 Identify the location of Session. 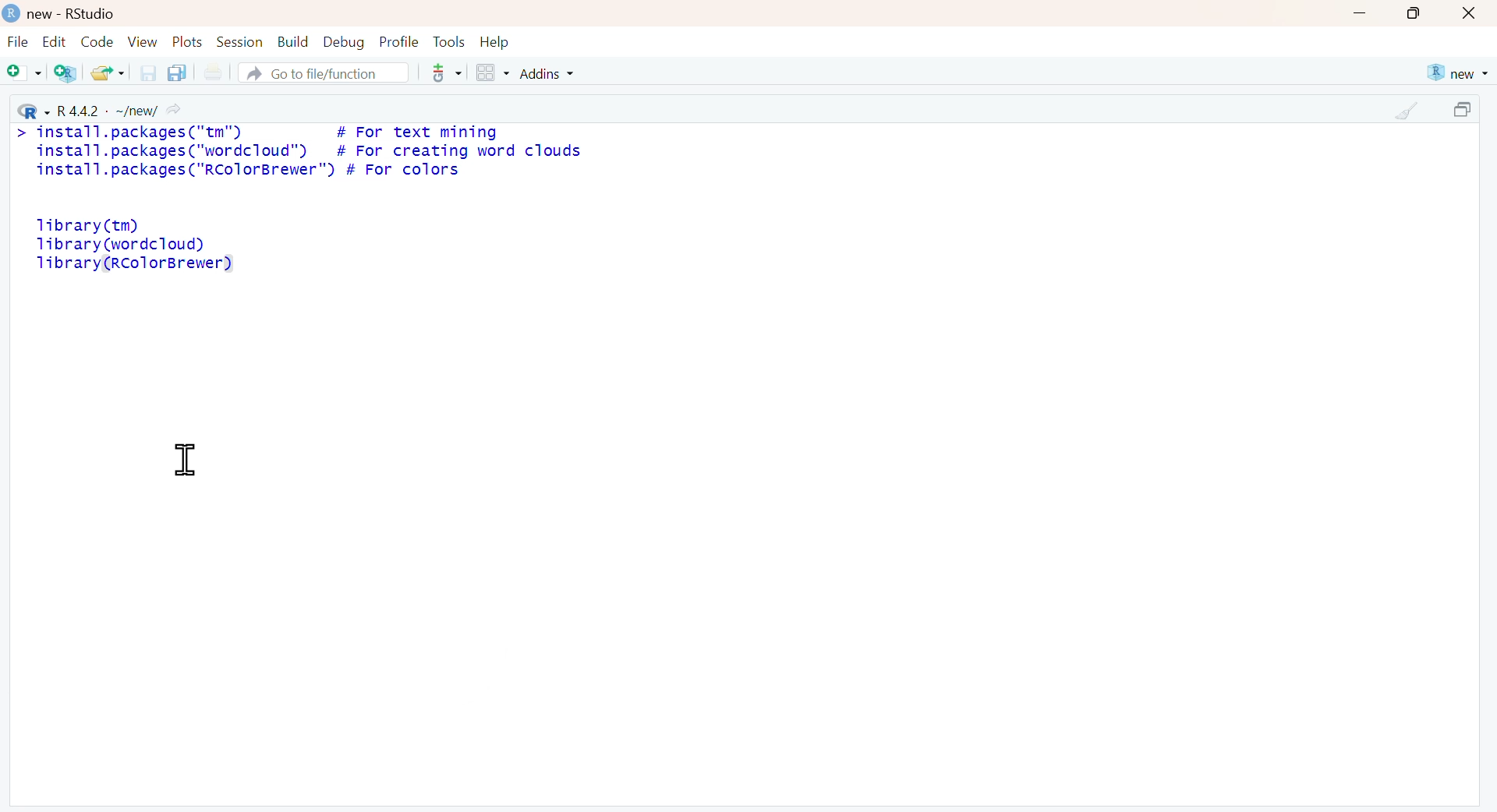
(242, 42).